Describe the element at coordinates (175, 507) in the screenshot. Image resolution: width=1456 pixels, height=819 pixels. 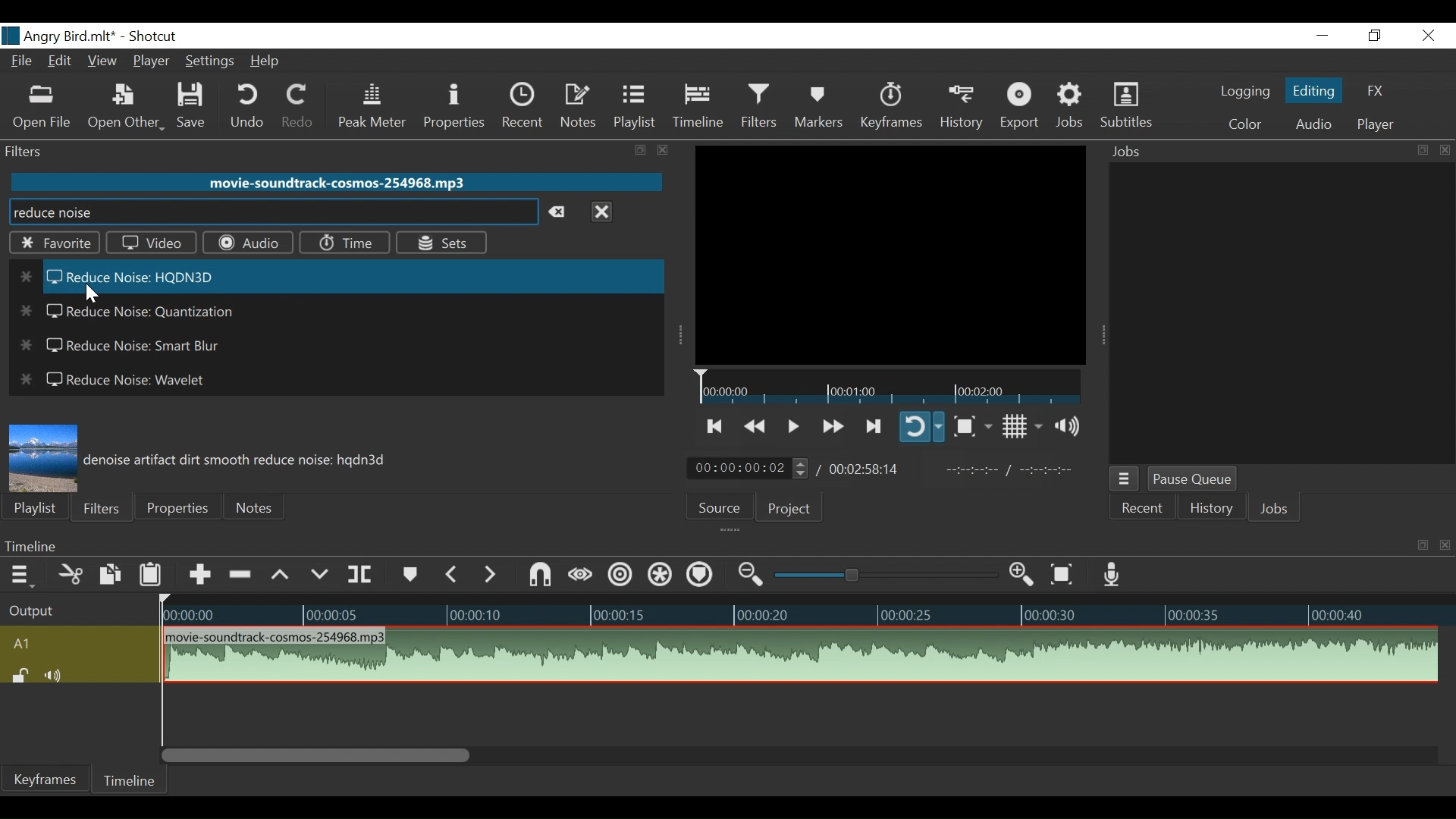
I see `Properties` at that location.